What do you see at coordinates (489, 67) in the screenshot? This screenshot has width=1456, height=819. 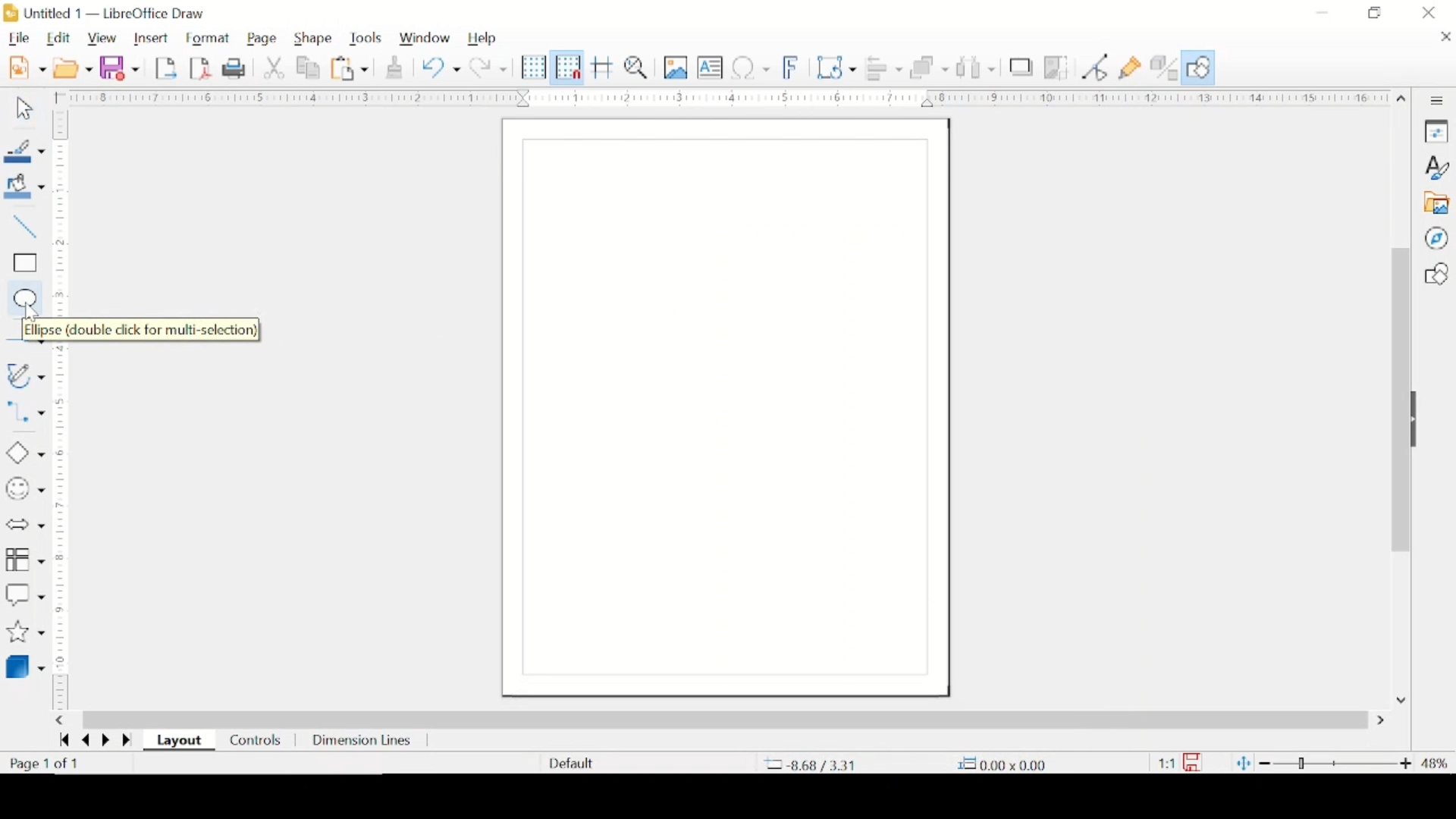 I see `redo` at bounding box center [489, 67].